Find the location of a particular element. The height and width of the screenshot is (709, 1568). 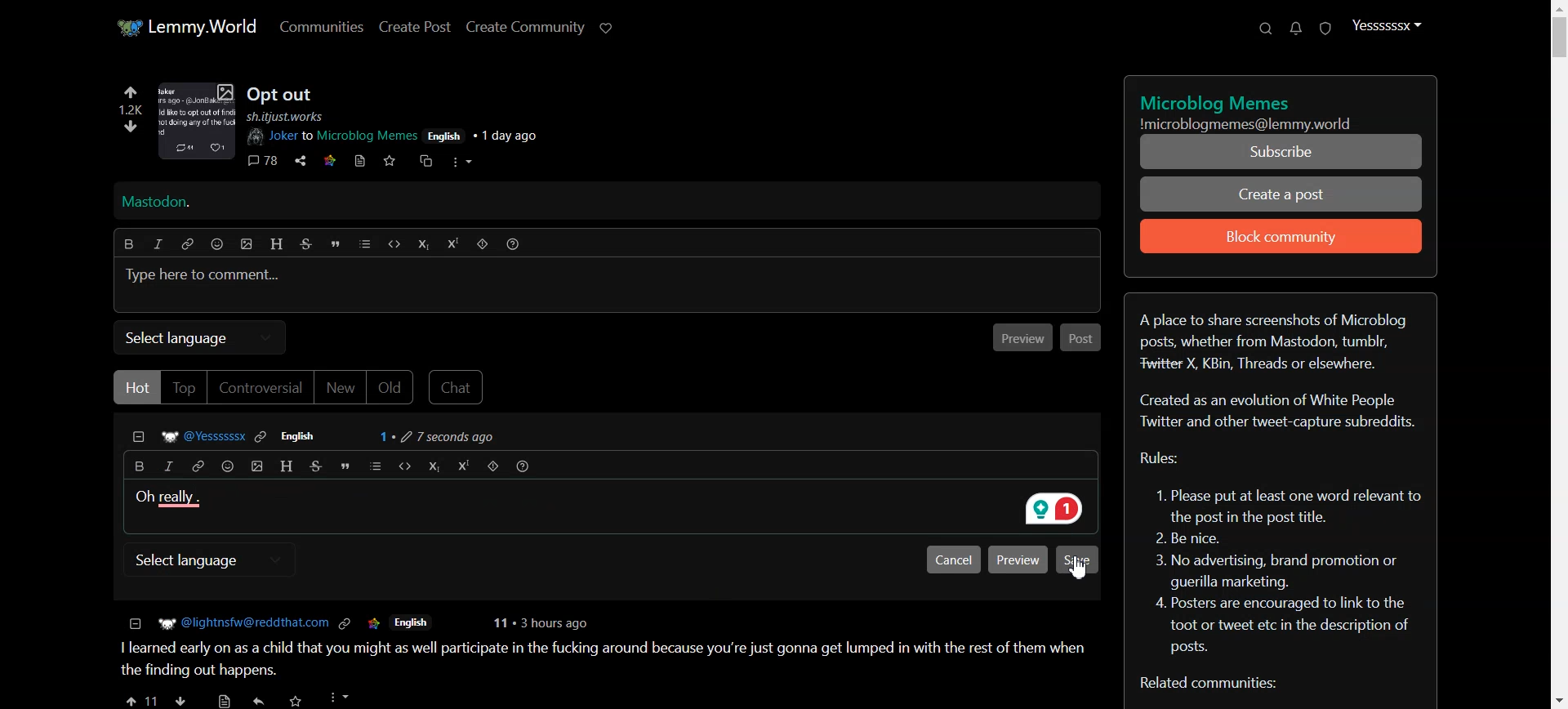

Select language is located at coordinates (201, 336).